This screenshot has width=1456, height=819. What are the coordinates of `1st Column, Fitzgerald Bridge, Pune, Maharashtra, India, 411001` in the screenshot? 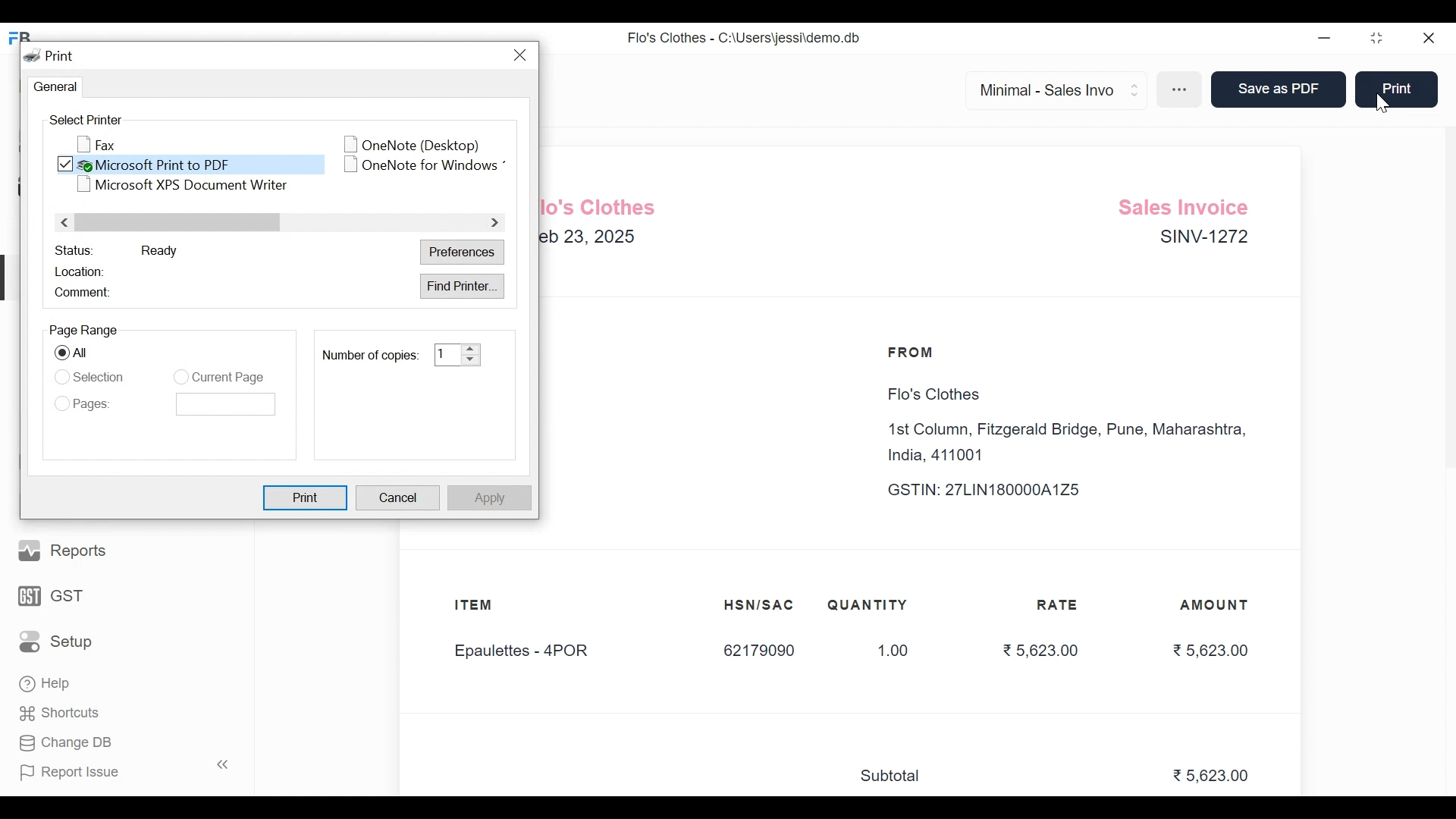 It's located at (1072, 443).